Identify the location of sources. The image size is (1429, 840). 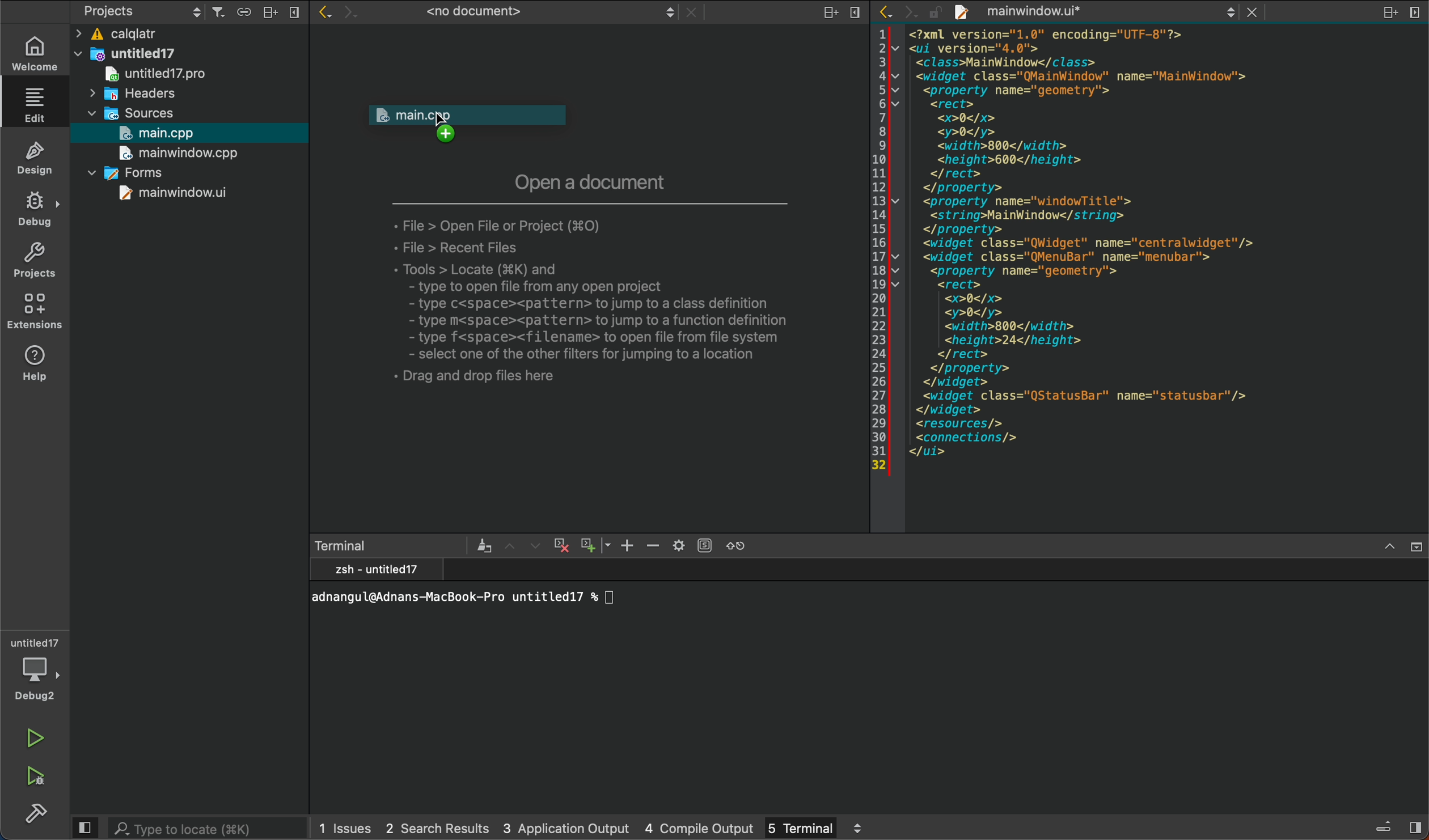
(124, 115).